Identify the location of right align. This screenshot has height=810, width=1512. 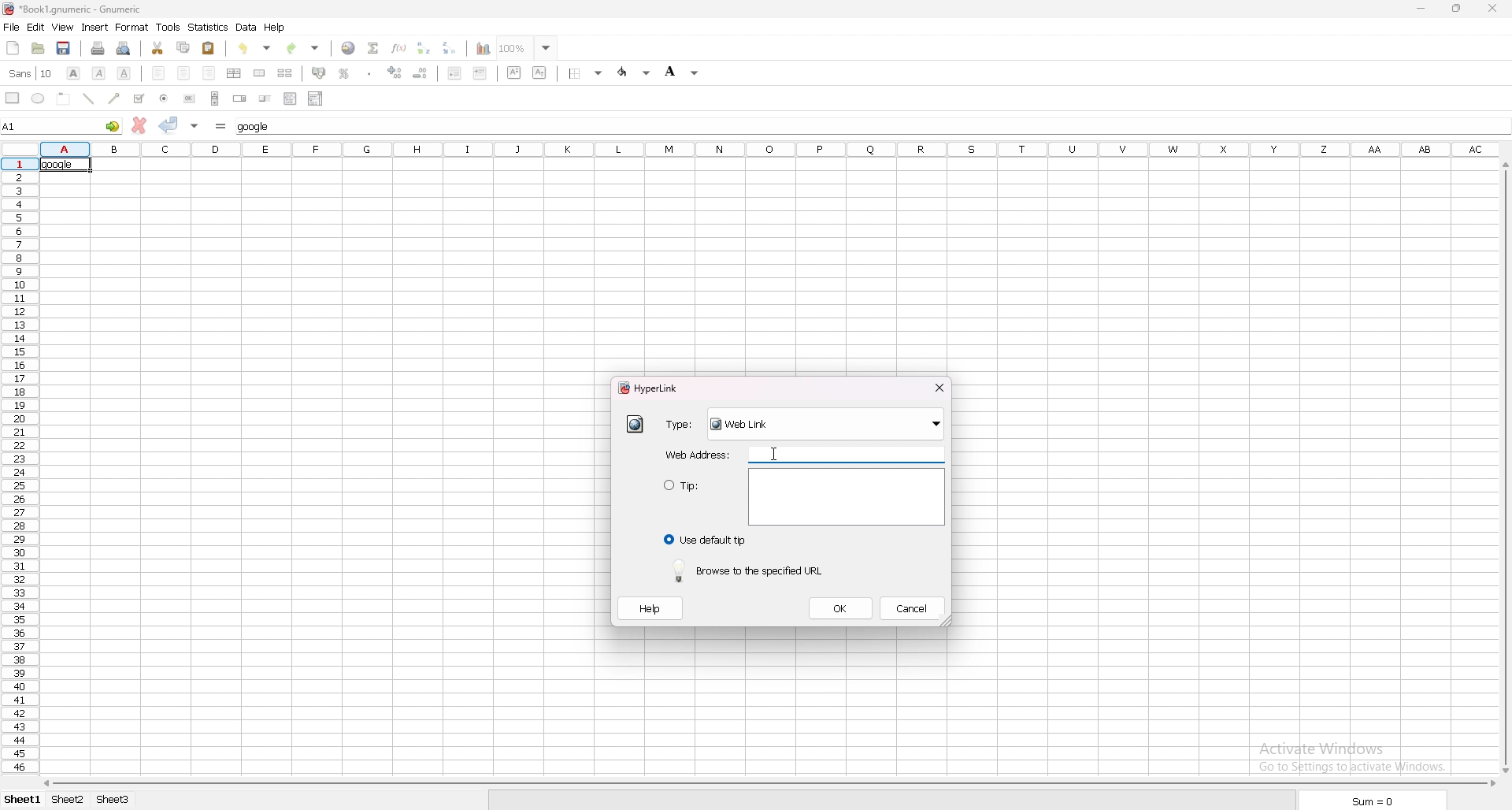
(208, 72).